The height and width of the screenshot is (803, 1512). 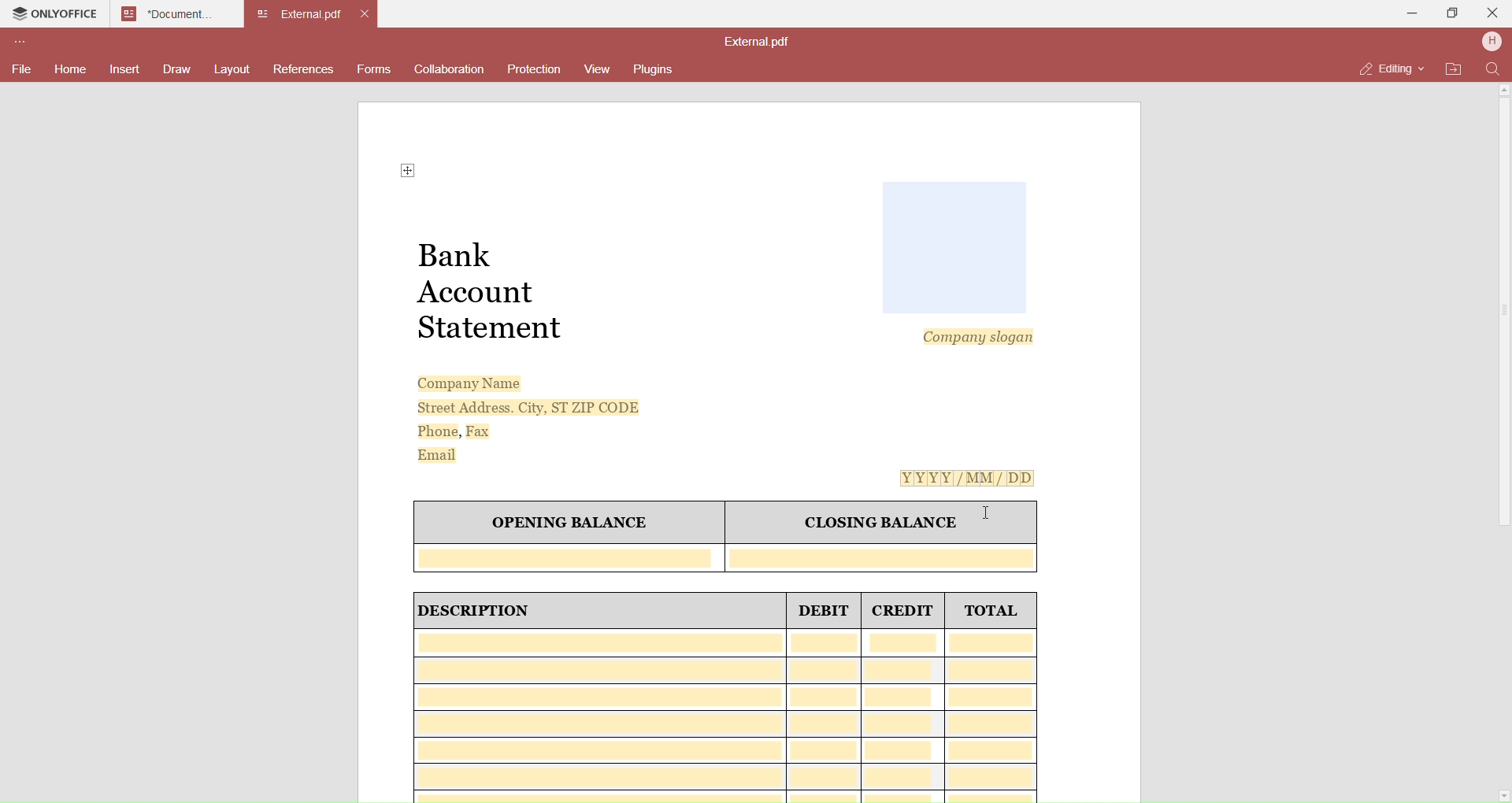 What do you see at coordinates (368, 16) in the screenshot?
I see `Close` at bounding box center [368, 16].